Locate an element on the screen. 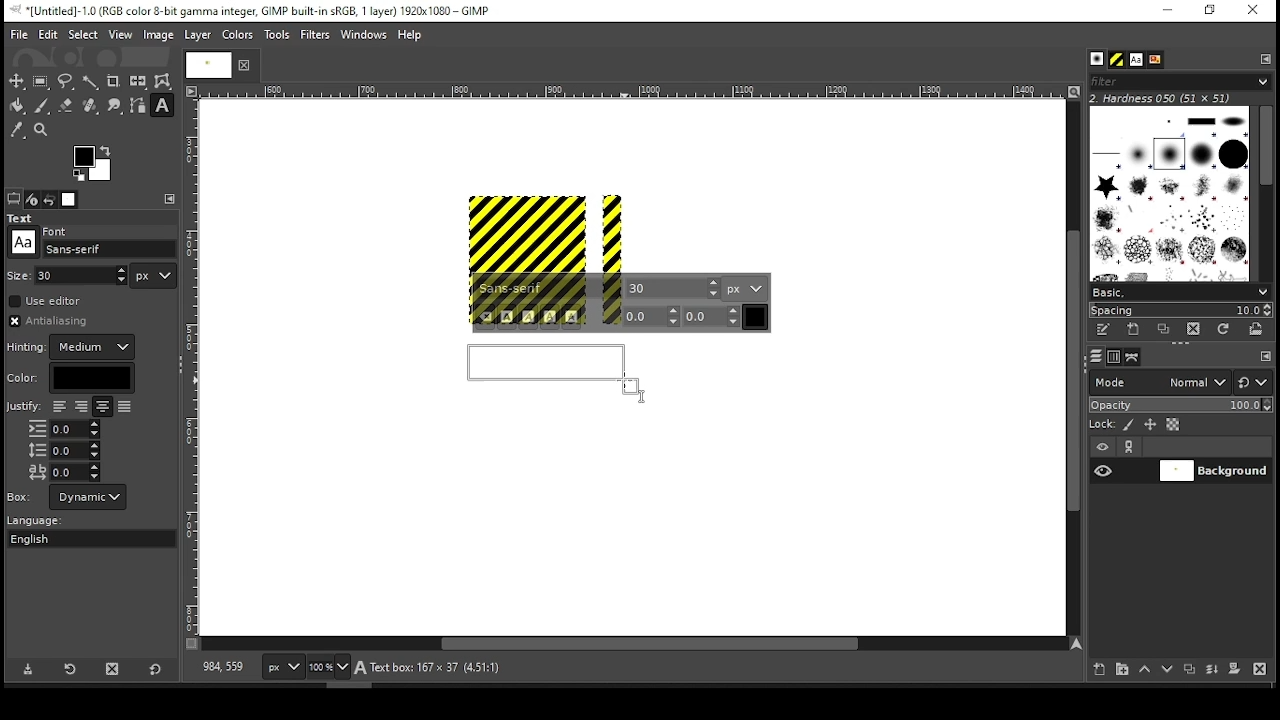 The image size is (1280, 720). units is located at coordinates (745, 288).